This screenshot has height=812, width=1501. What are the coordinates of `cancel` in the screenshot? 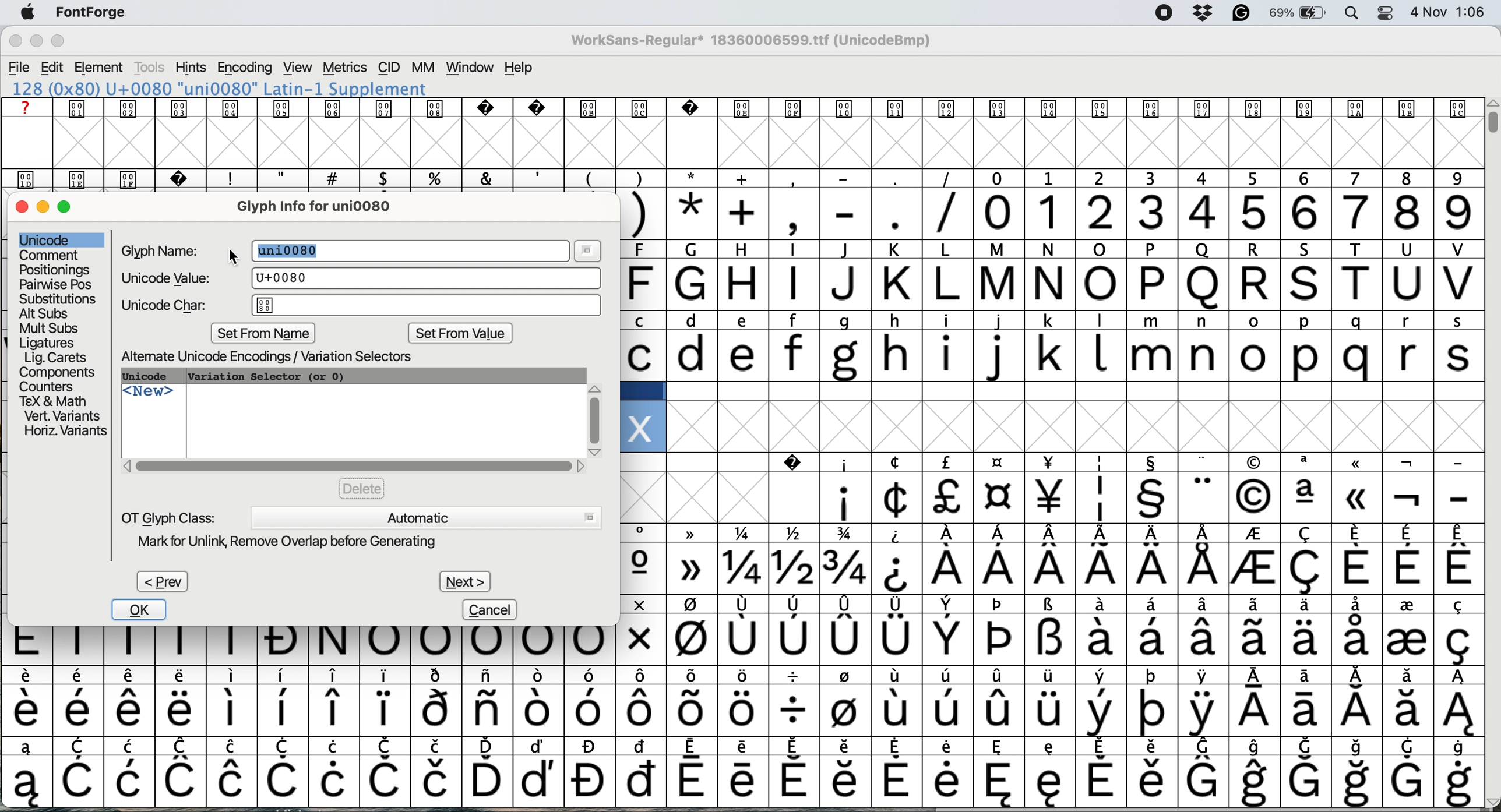 It's located at (492, 609).